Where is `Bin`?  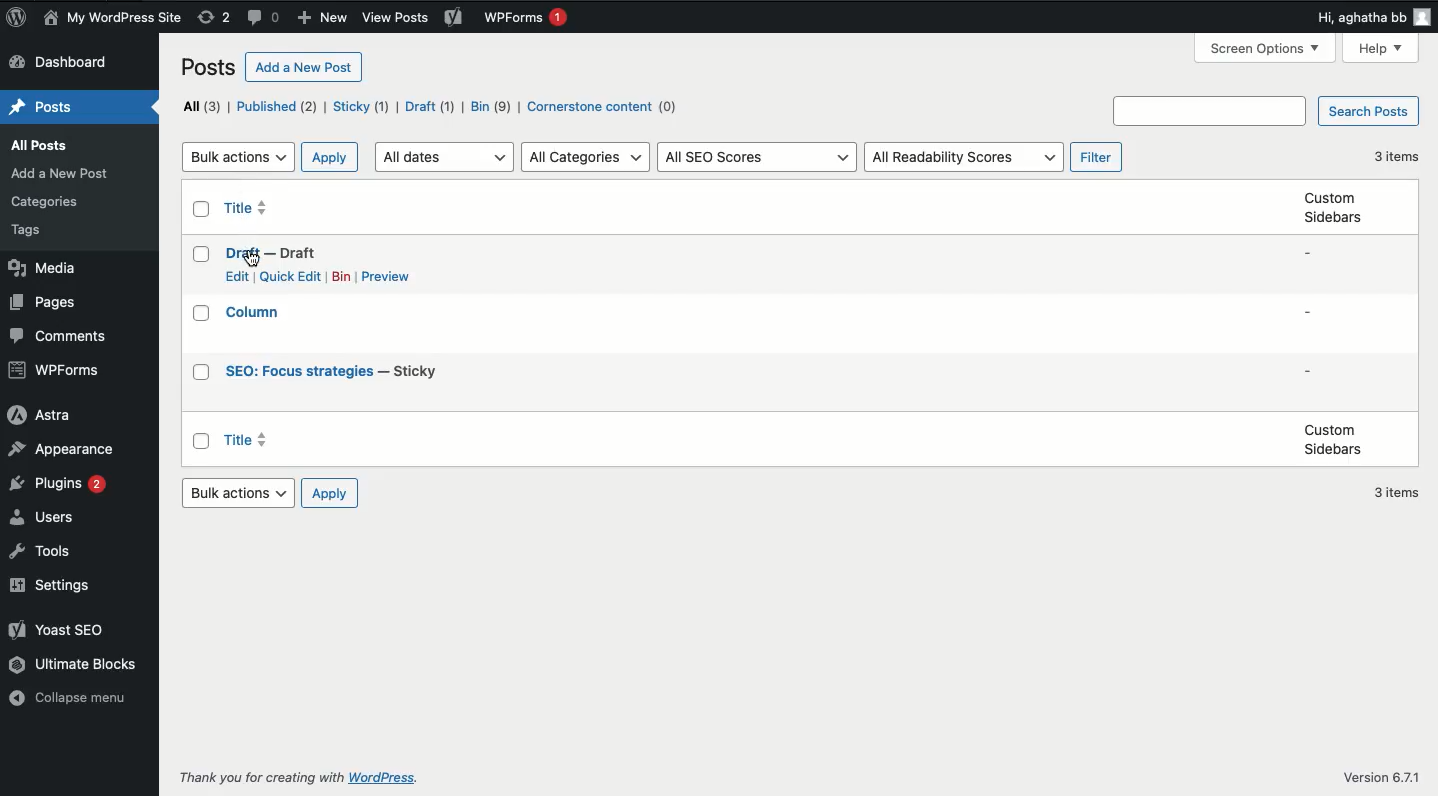 Bin is located at coordinates (342, 277).